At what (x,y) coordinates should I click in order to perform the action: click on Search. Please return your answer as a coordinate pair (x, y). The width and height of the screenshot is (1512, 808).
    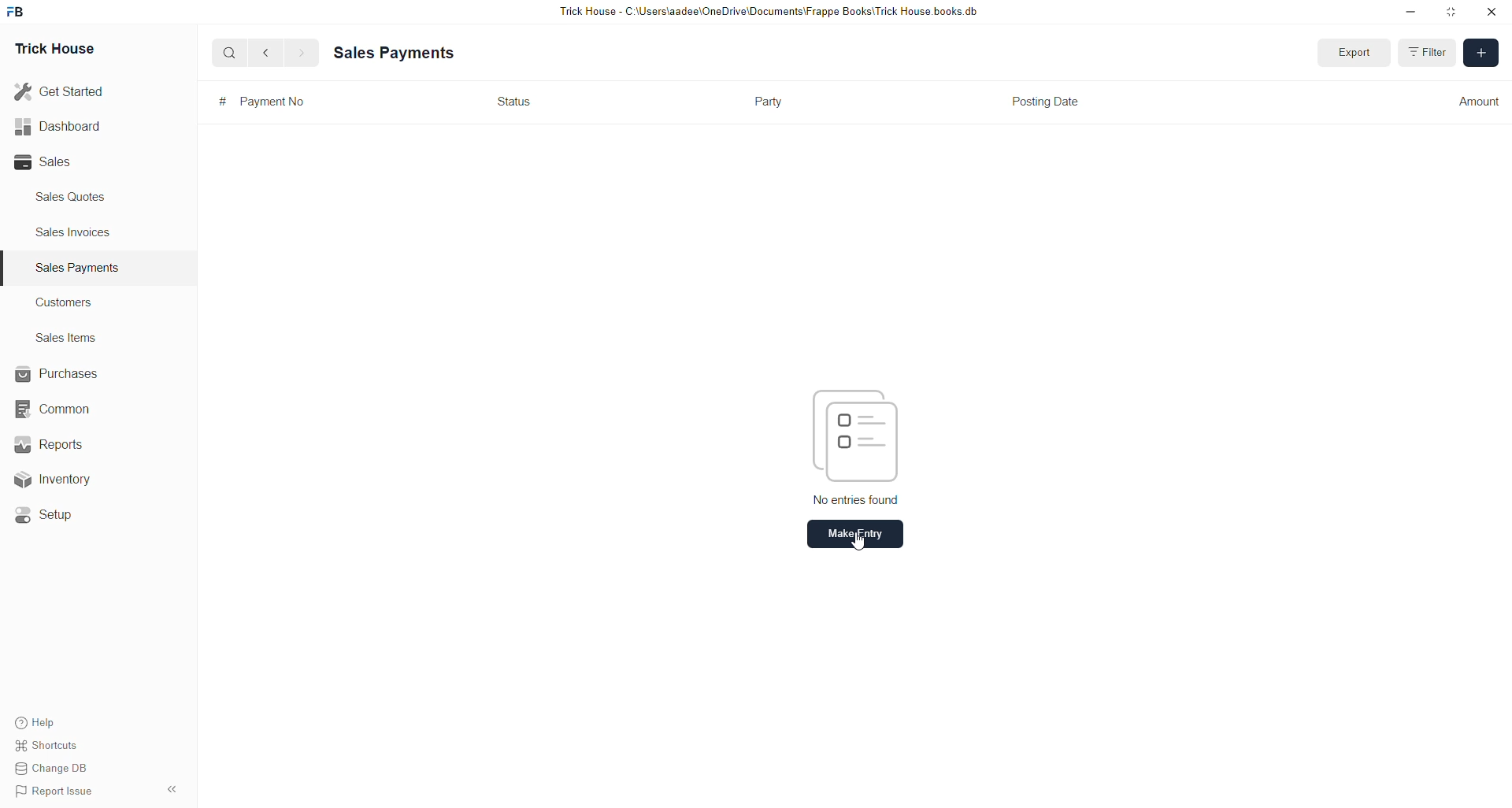
    Looking at the image, I should click on (229, 52).